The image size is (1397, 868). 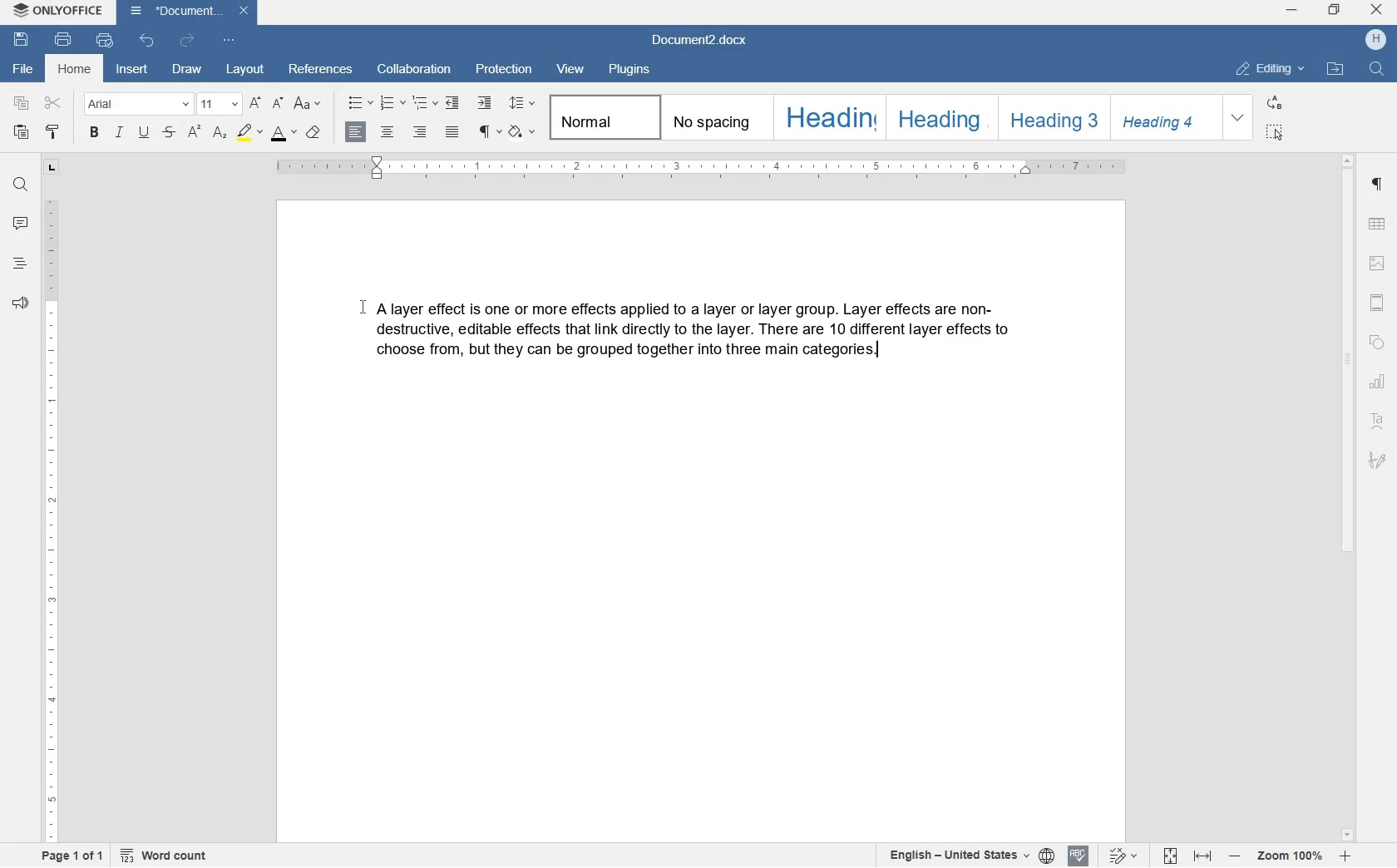 What do you see at coordinates (249, 134) in the screenshot?
I see `highlight color` at bounding box center [249, 134].